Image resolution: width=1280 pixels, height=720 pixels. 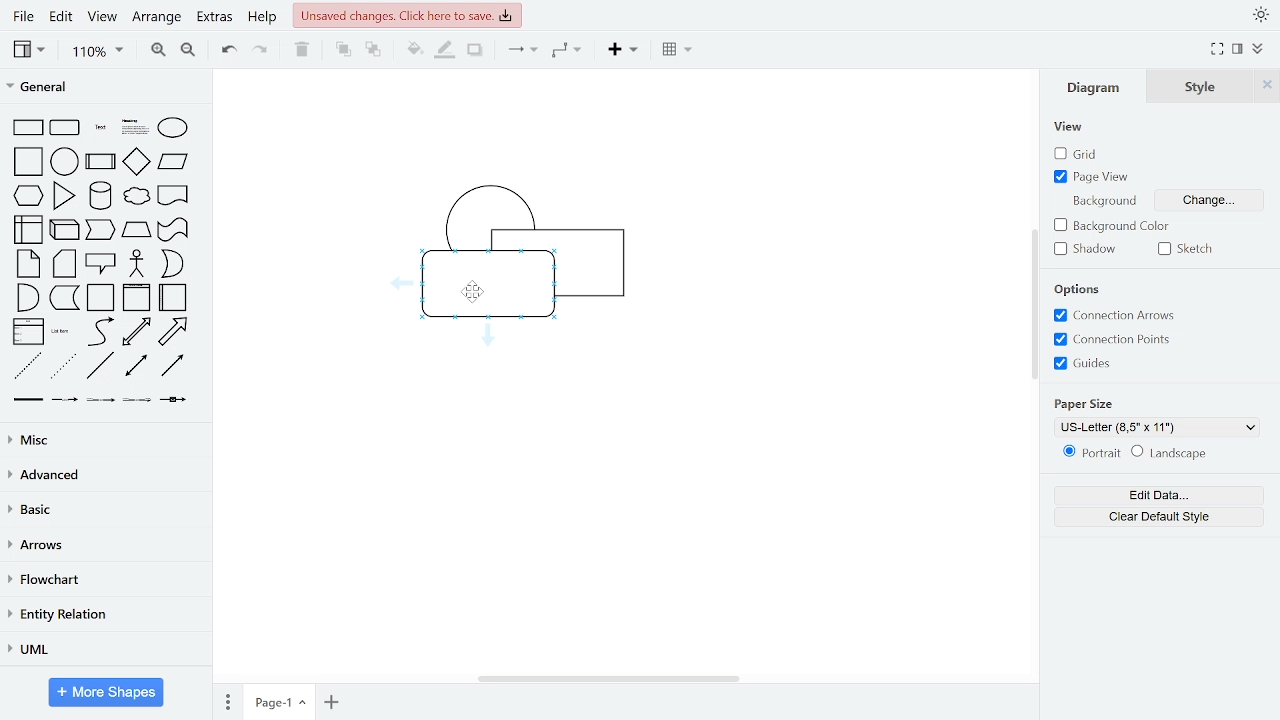 What do you see at coordinates (106, 579) in the screenshot?
I see `flowchart` at bounding box center [106, 579].